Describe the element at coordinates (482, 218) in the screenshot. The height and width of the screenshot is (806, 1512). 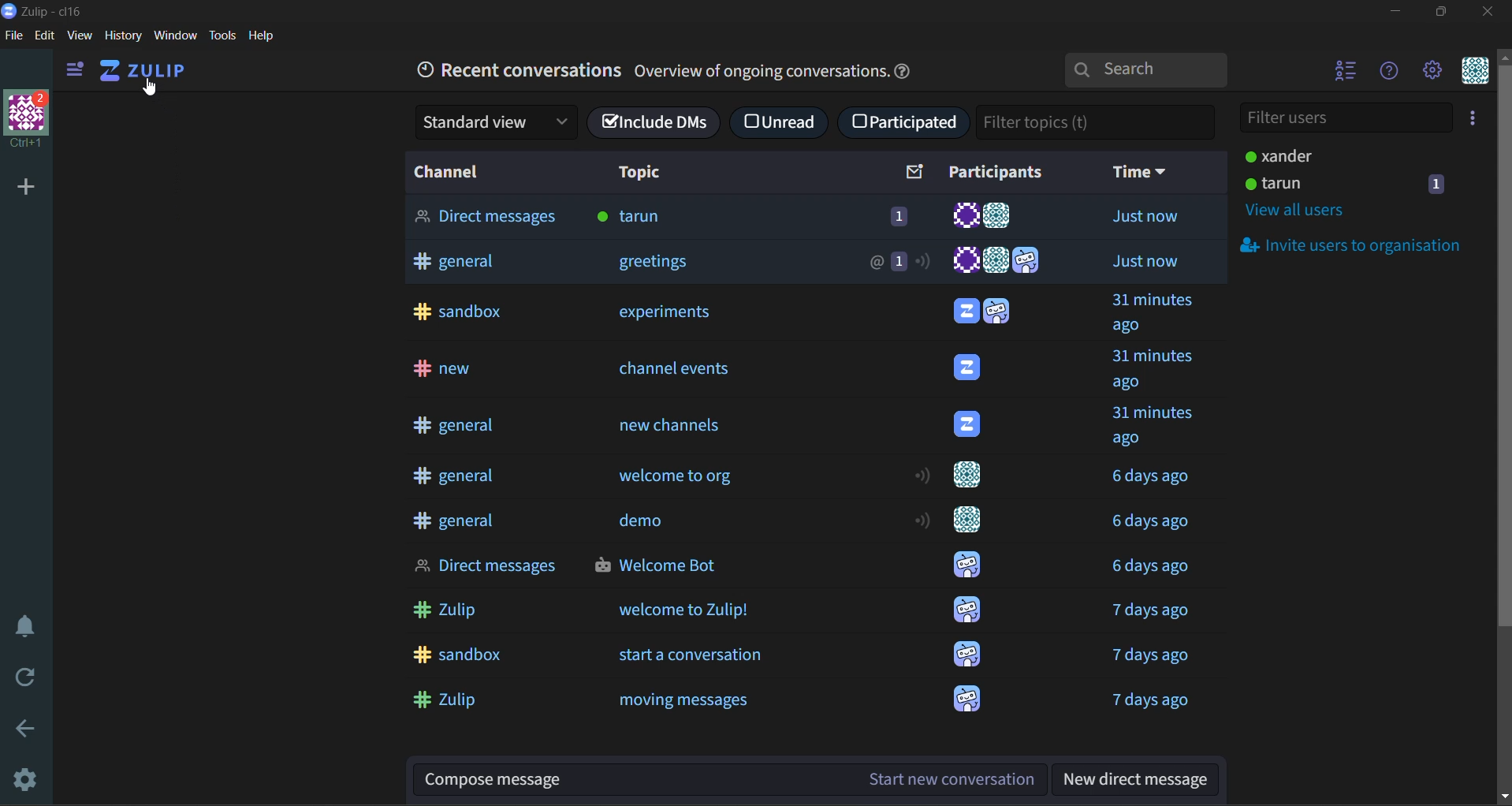
I see `Direct Messages` at that location.